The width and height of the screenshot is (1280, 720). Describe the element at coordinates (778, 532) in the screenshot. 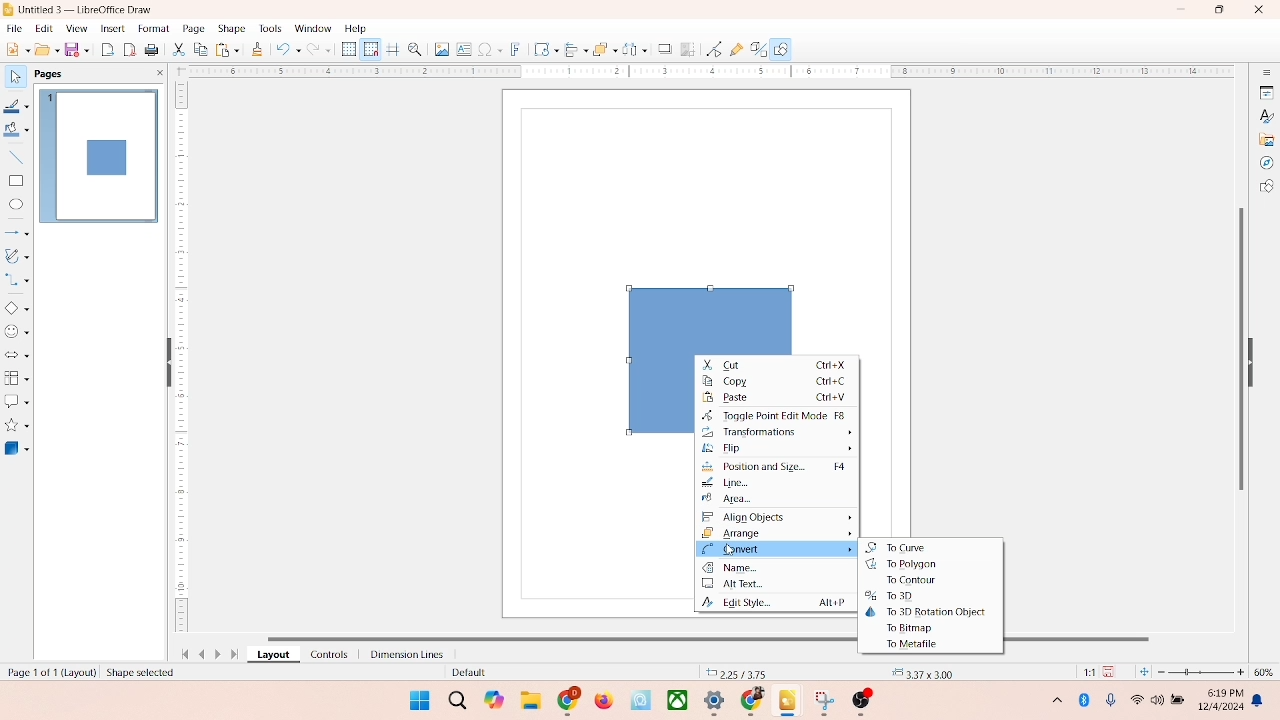

I see `arrange` at that location.